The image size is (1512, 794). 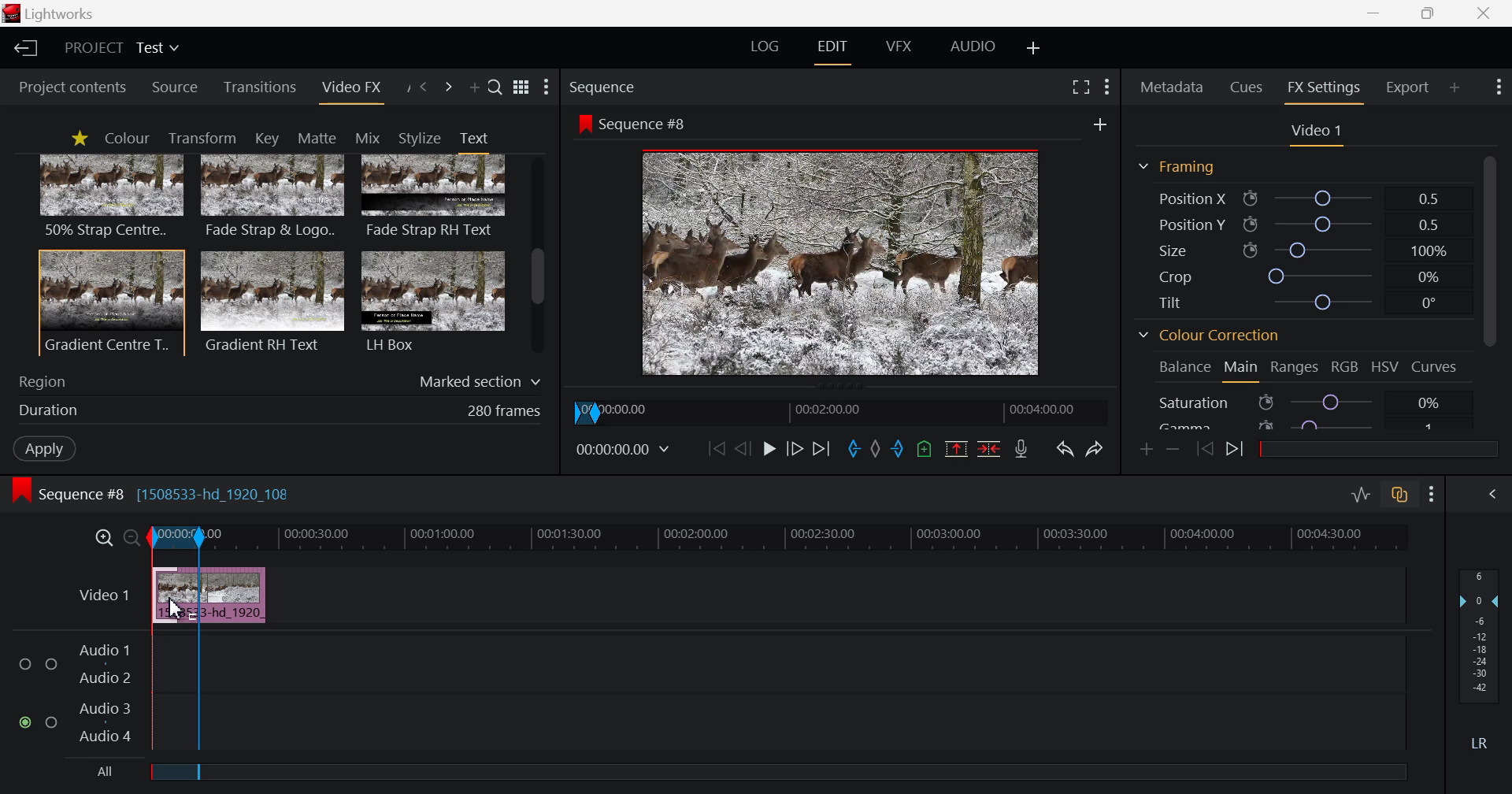 What do you see at coordinates (113, 195) in the screenshot?
I see `50% Strap centre` at bounding box center [113, 195].